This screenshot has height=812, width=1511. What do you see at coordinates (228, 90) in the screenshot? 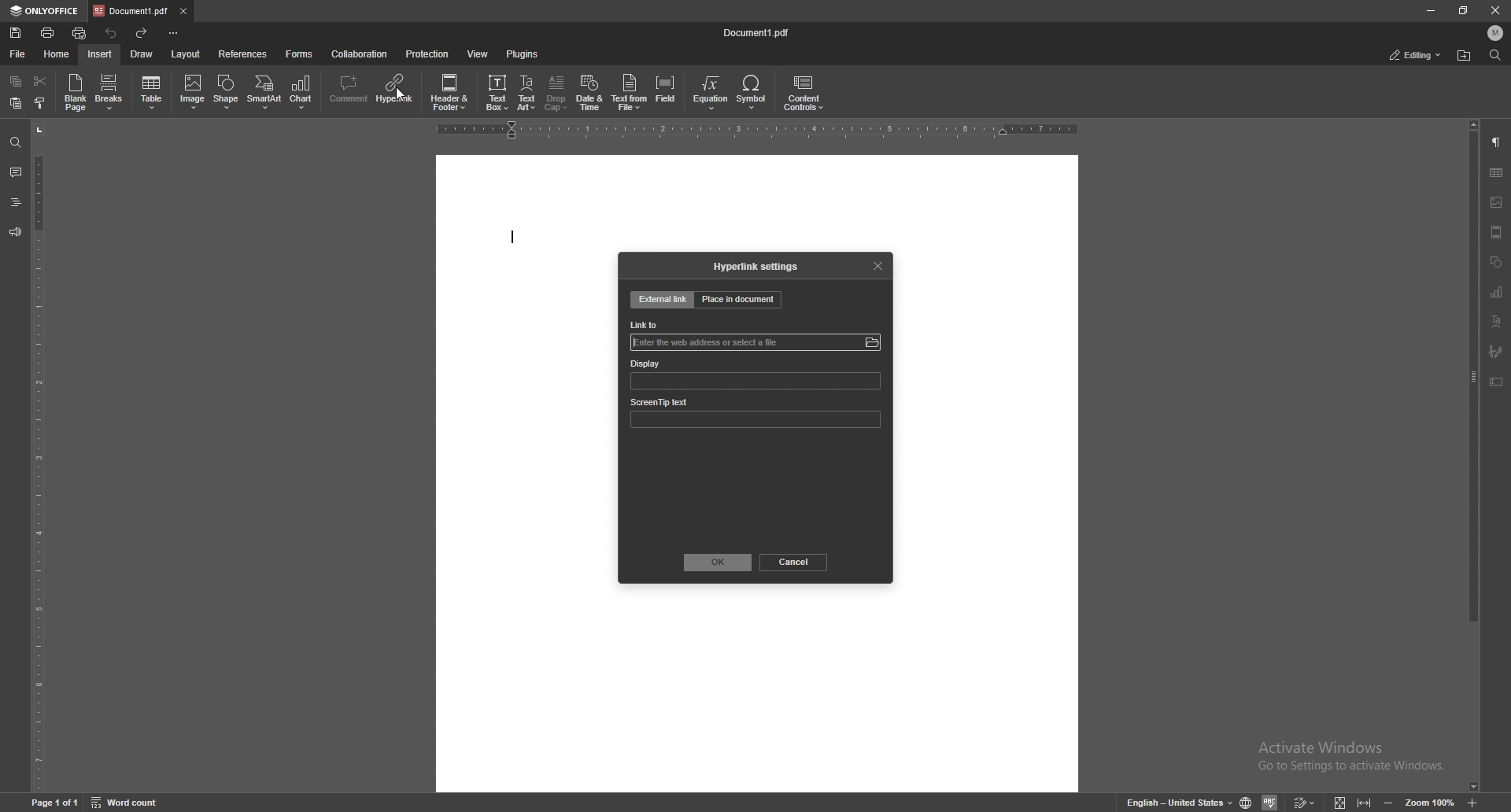
I see `shape` at bounding box center [228, 90].